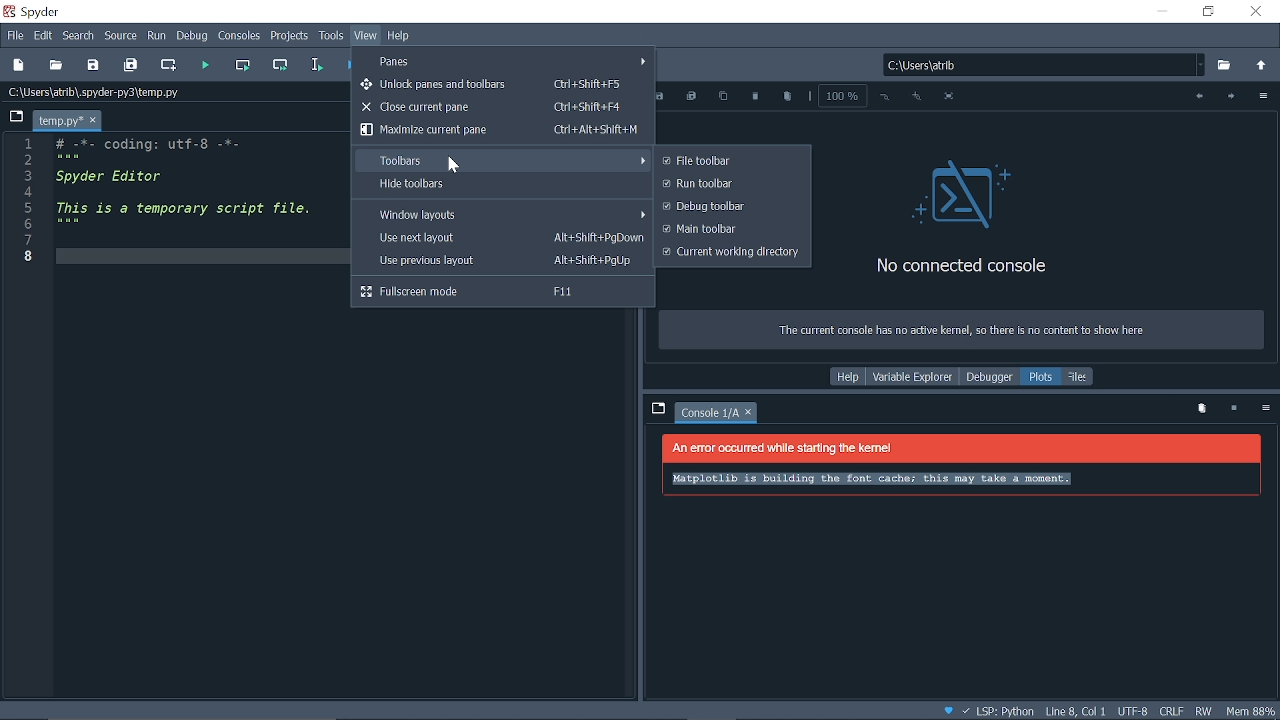 Image resolution: width=1280 pixels, height=720 pixels. I want to click on Cursor position, so click(1075, 712).